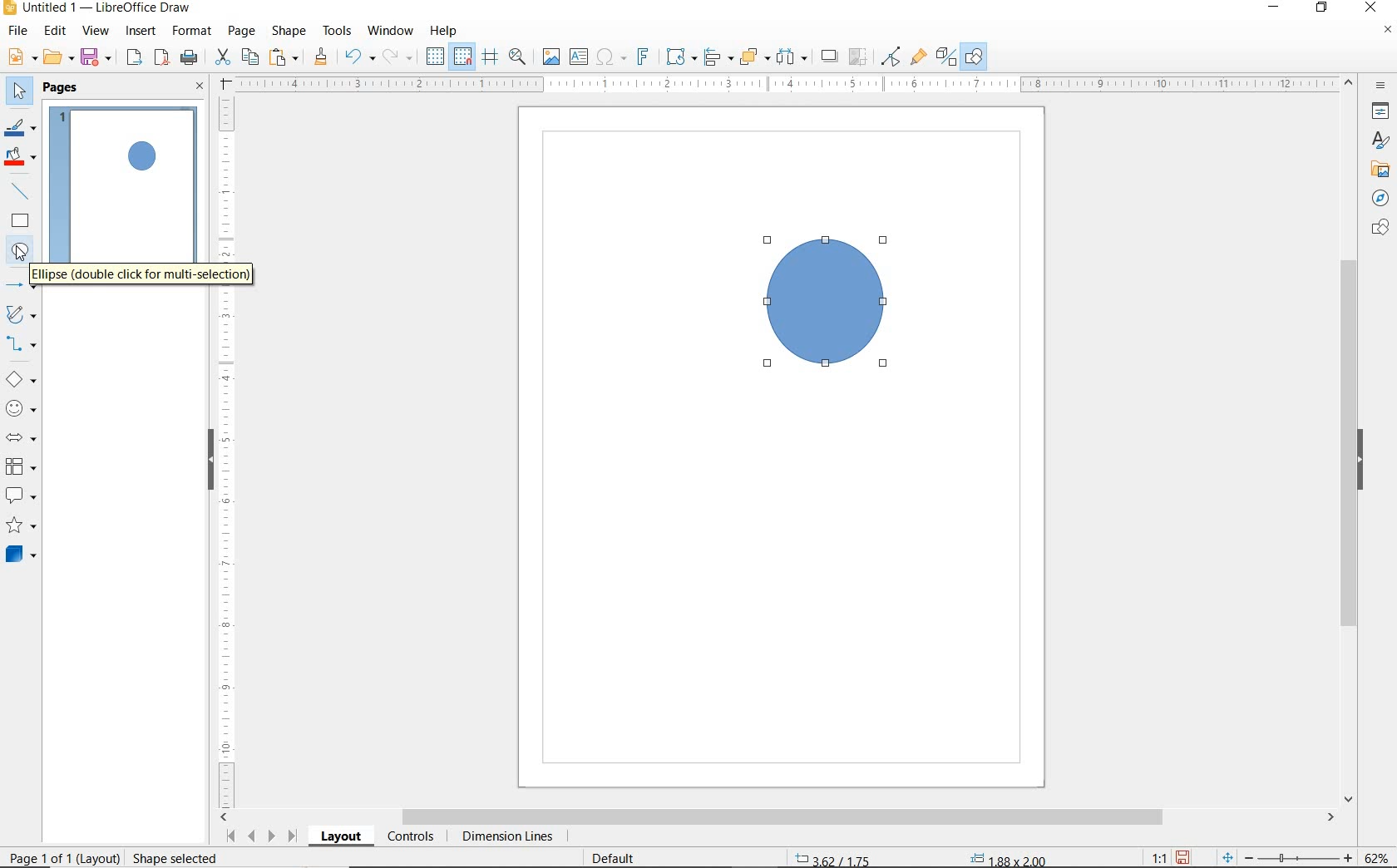  I want to click on VIEW, so click(96, 32).